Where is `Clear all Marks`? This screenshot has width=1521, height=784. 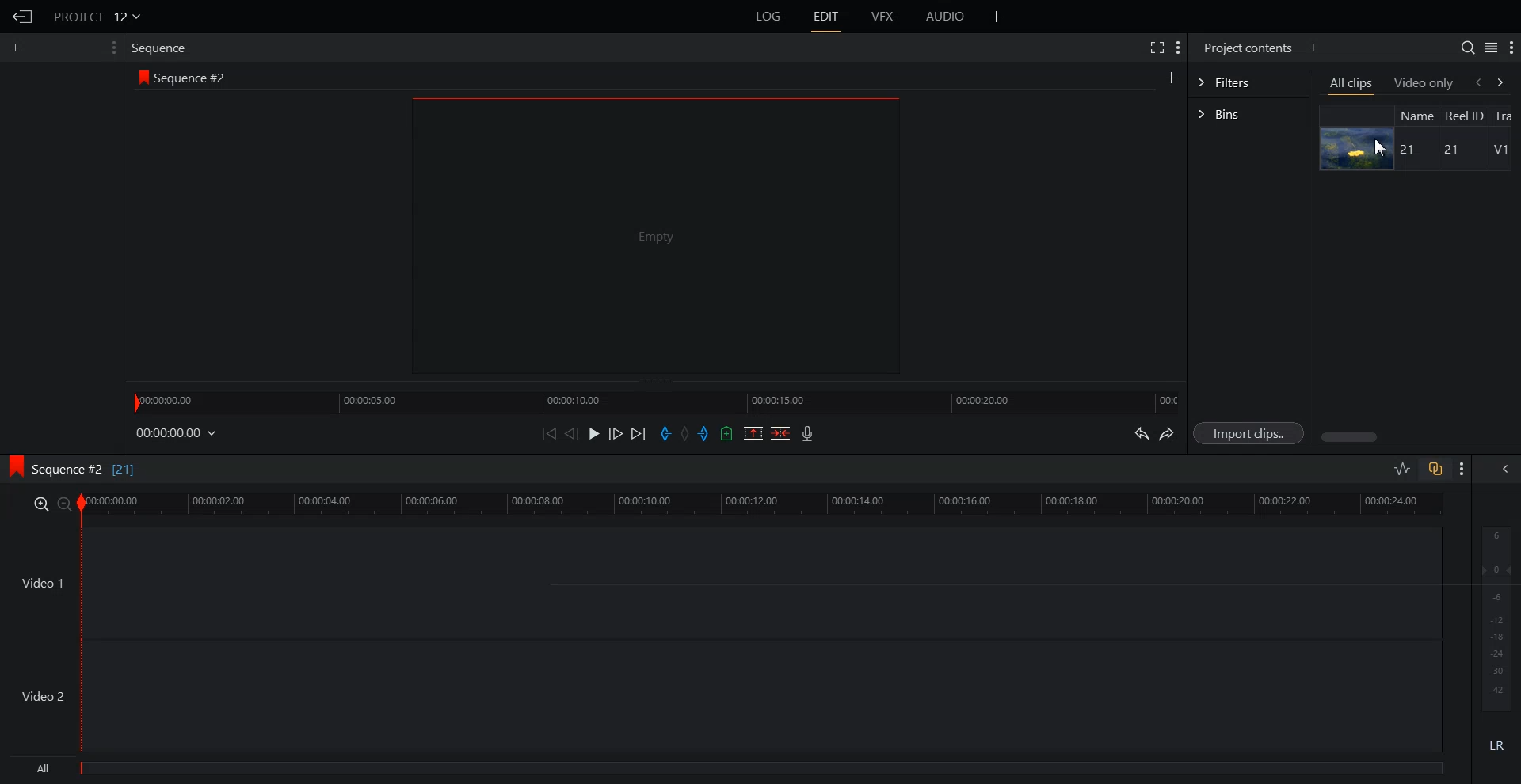
Clear all Marks is located at coordinates (685, 432).